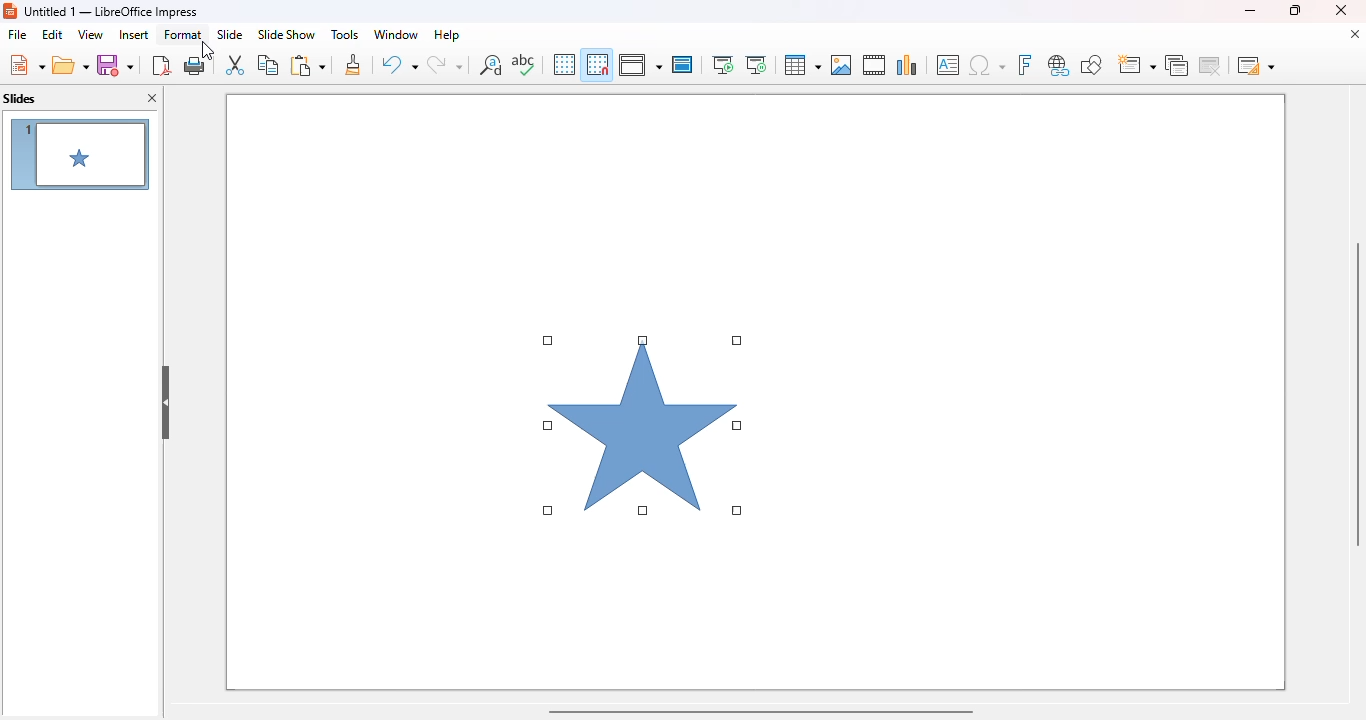 Image resolution: width=1366 pixels, height=720 pixels. What do you see at coordinates (196, 65) in the screenshot?
I see `print` at bounding box center [196, 65].